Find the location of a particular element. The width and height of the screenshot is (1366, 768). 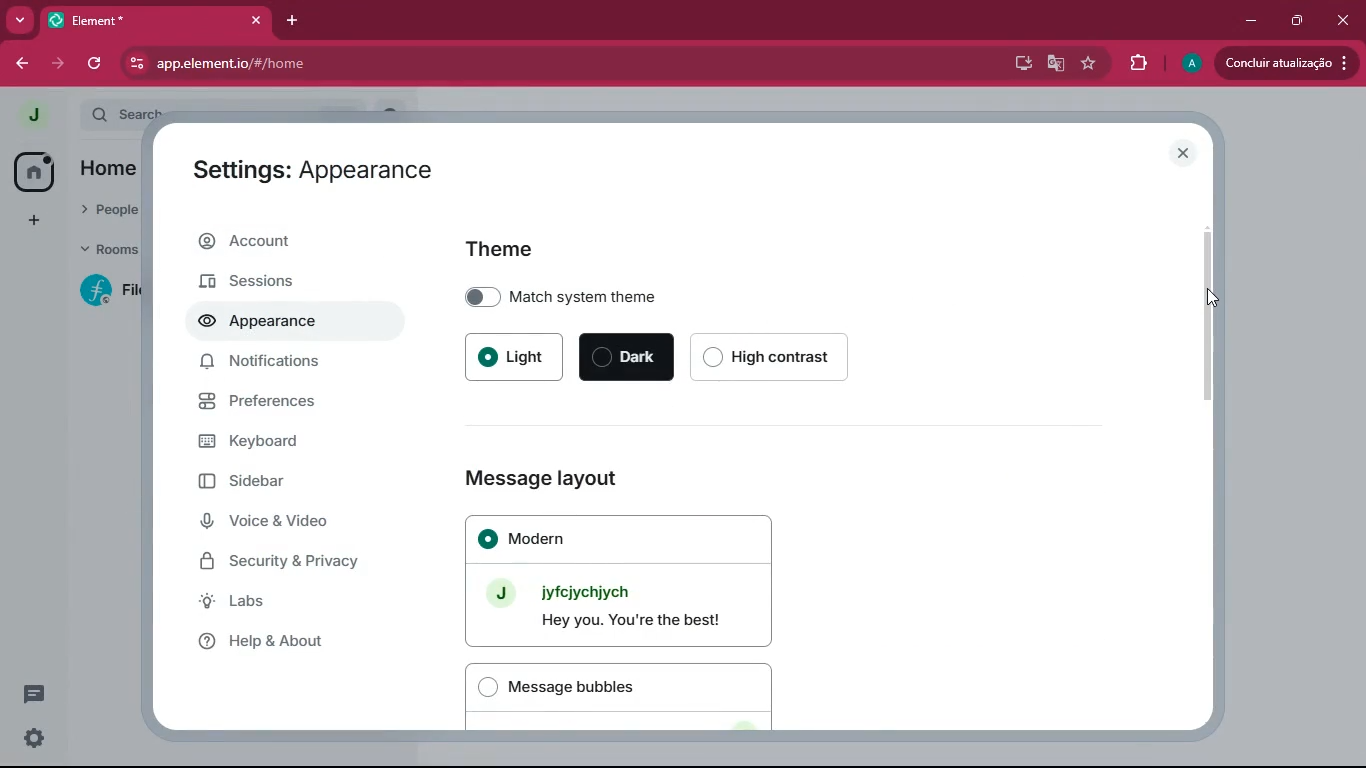

labs is located at coordinates (281, 605).